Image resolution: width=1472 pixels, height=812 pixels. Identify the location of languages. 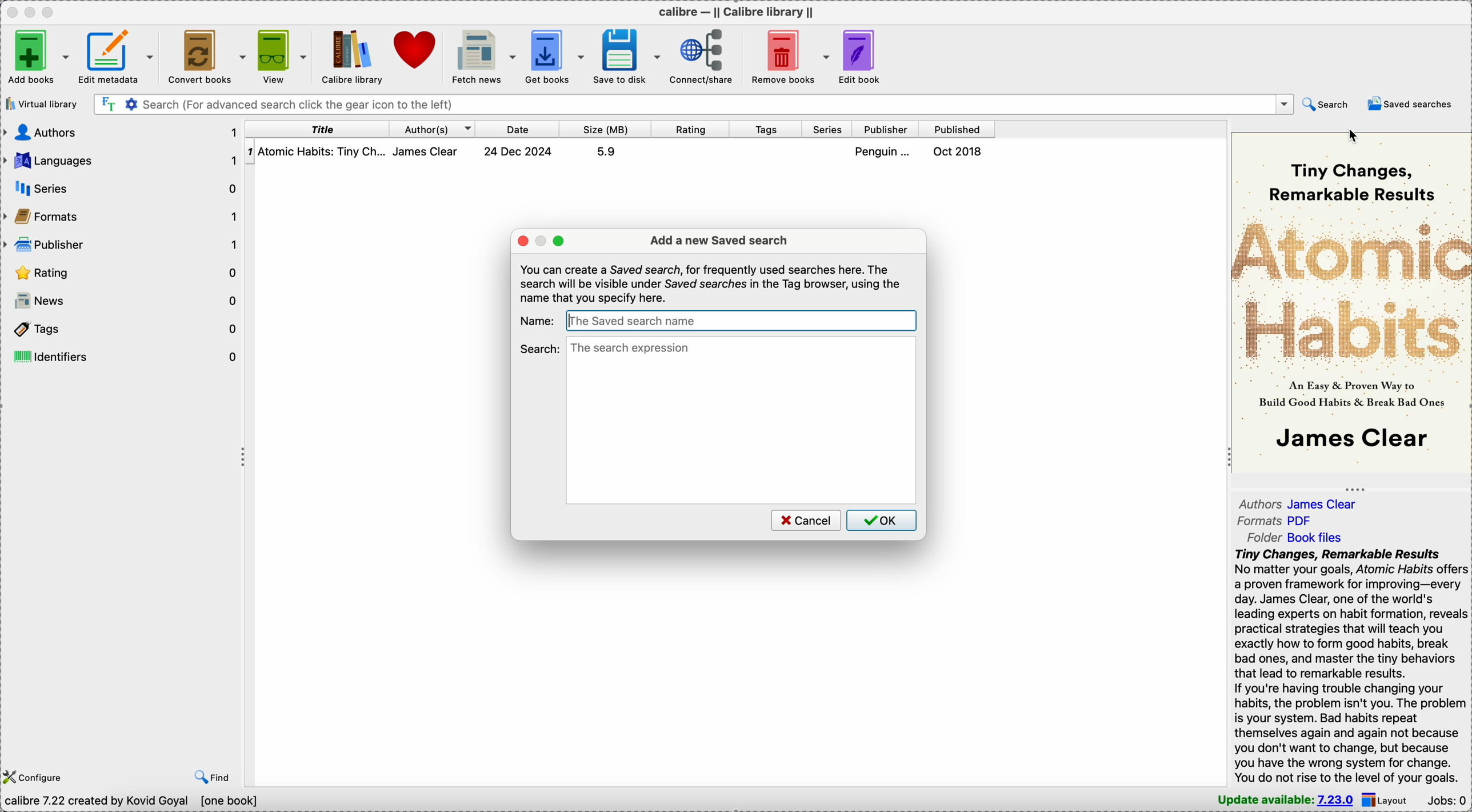
(122, 161).